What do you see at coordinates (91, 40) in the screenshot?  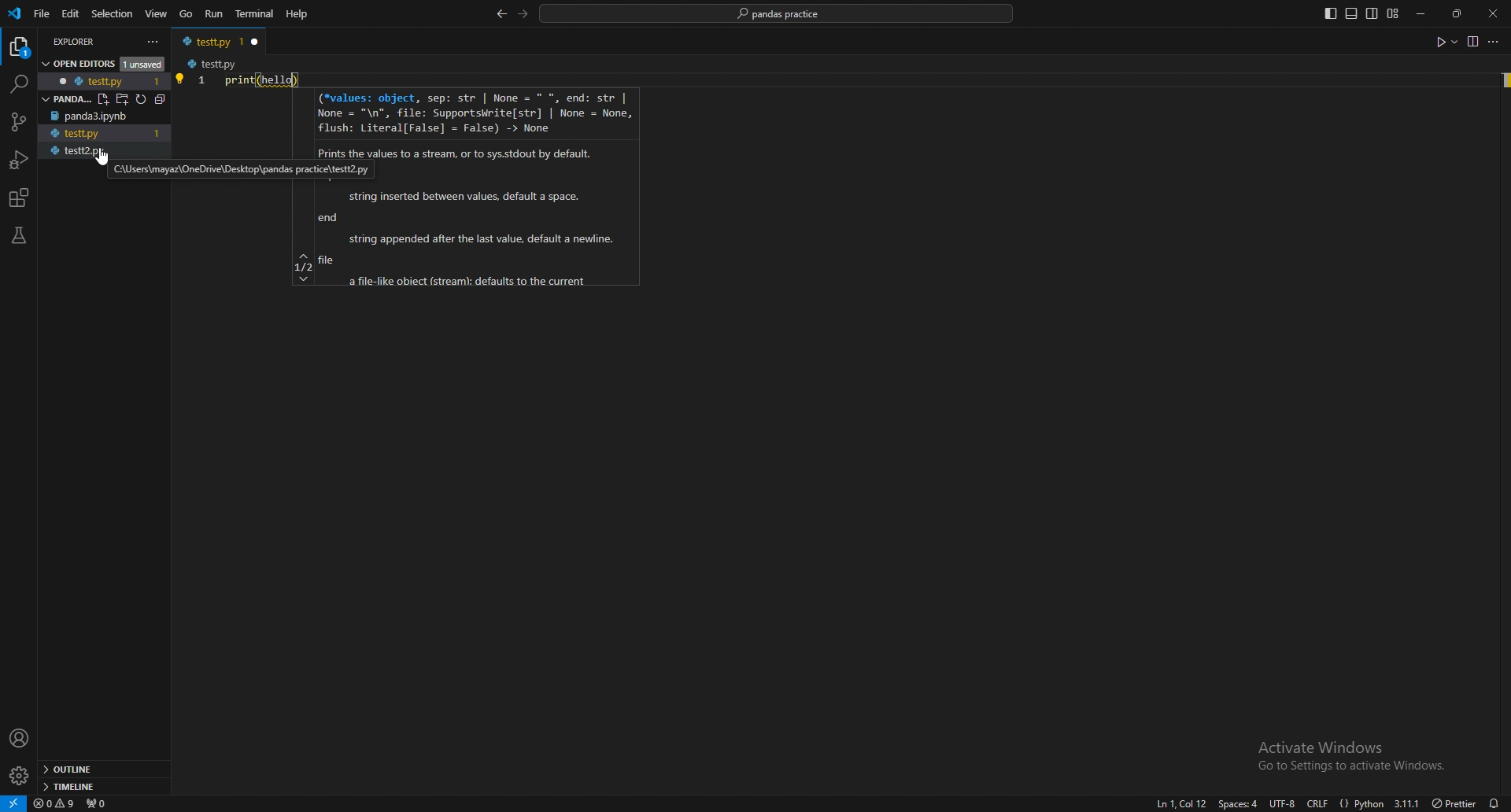 I see `explorer` at bounding box center [91, 40].